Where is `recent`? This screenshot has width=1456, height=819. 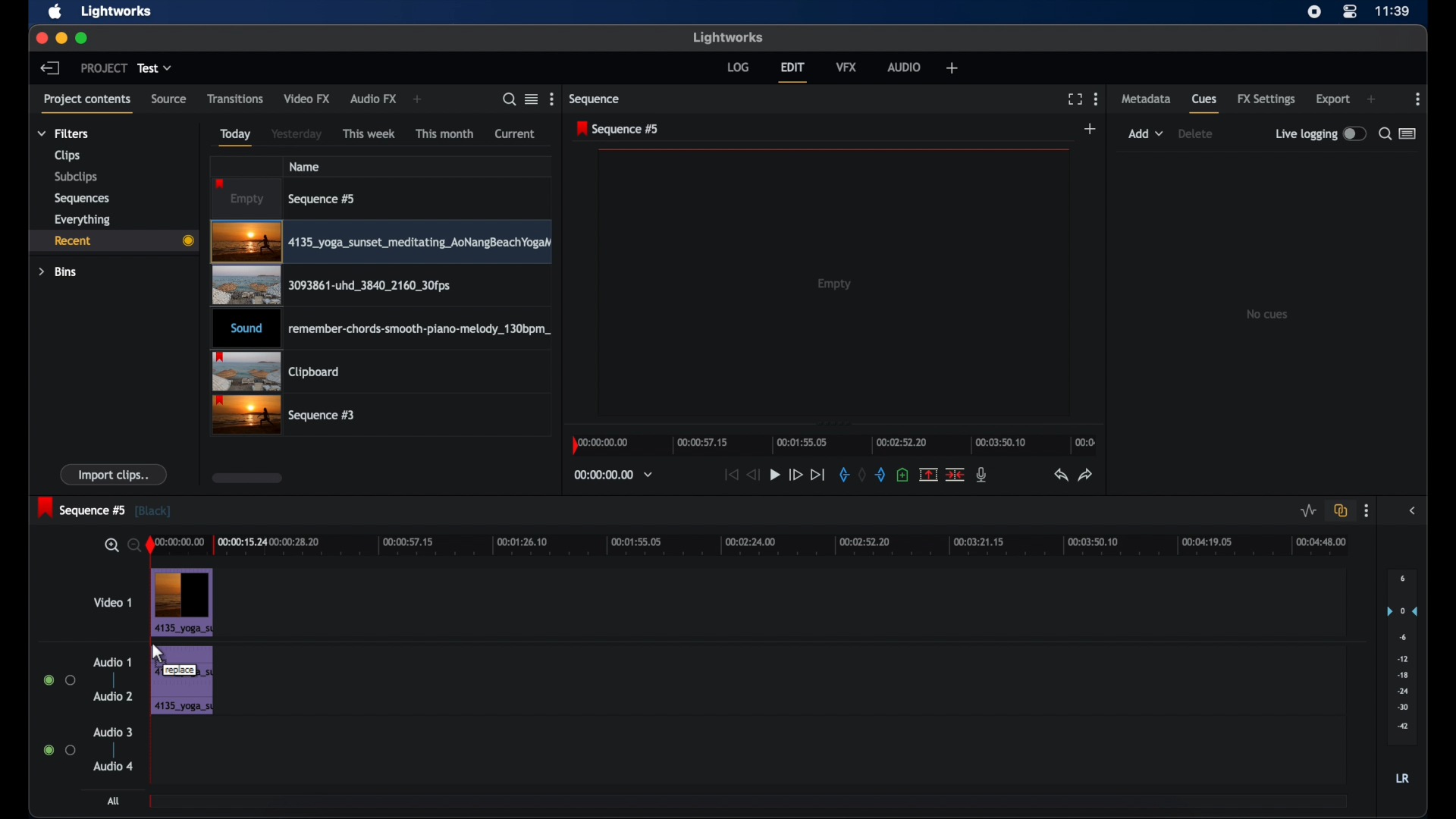 recent is located at coordinates (113, 241).